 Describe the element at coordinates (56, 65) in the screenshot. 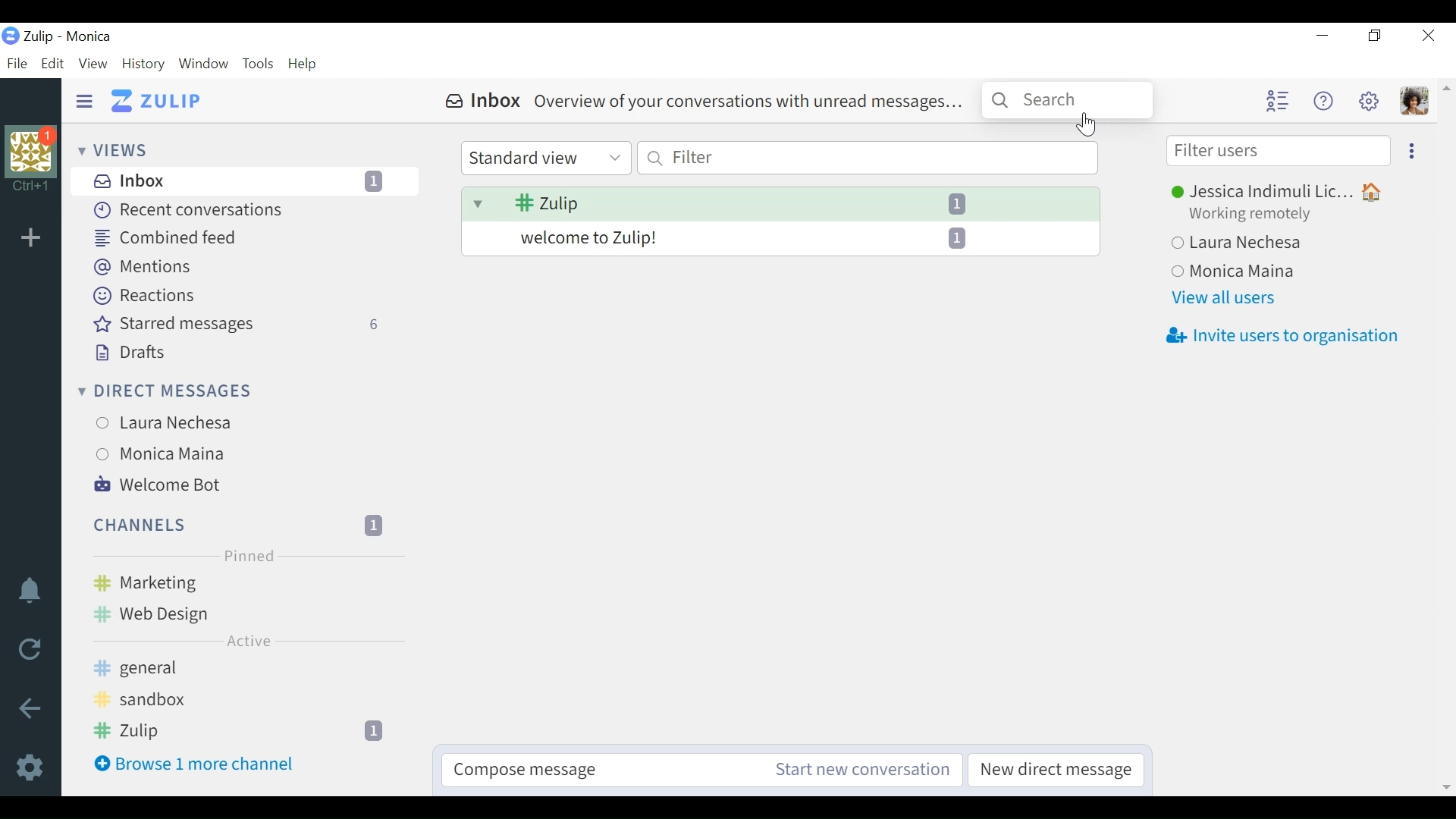

I see `Edit` at that location.